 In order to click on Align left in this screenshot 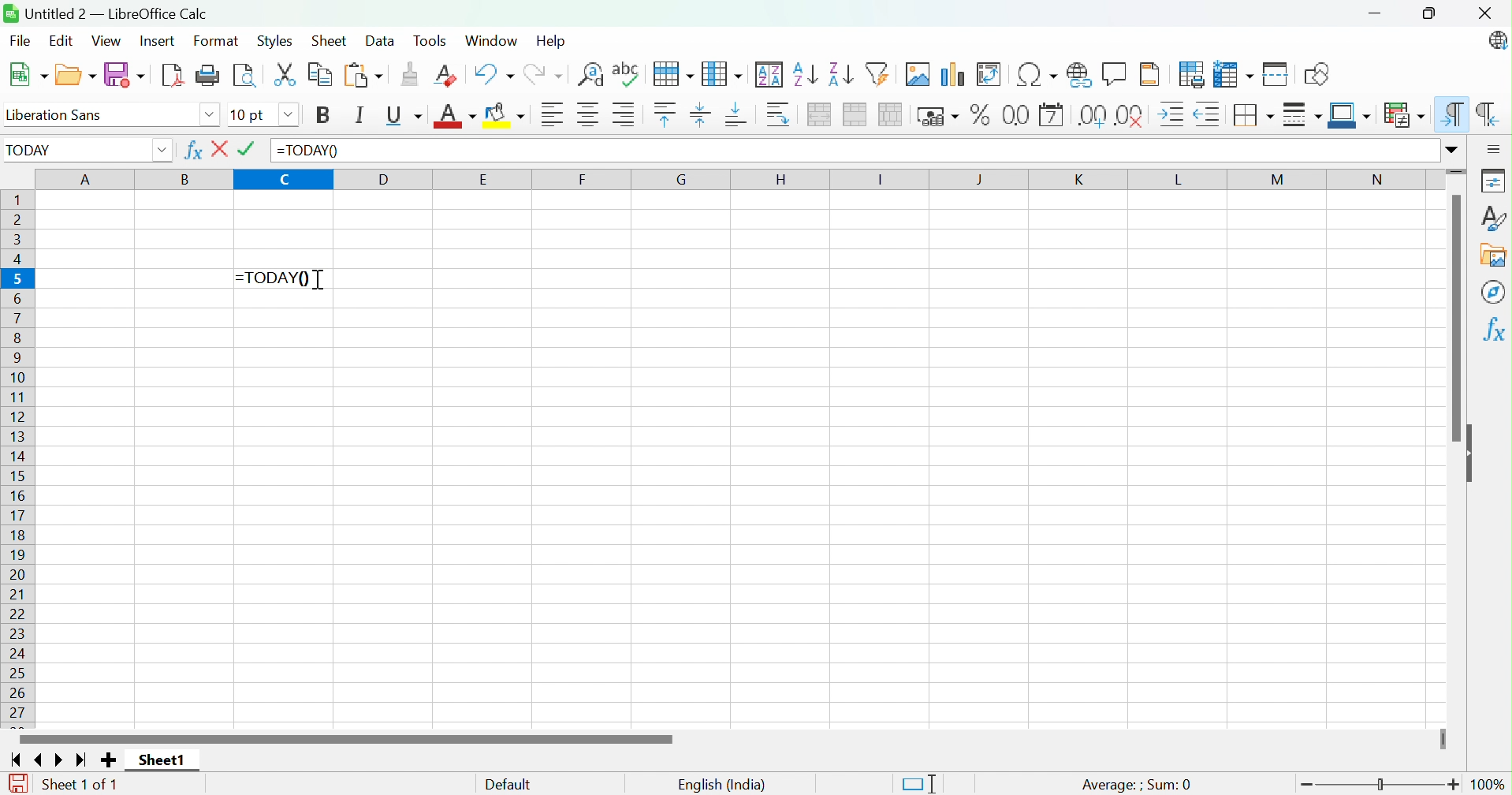, I will do `click(555, 114)`.